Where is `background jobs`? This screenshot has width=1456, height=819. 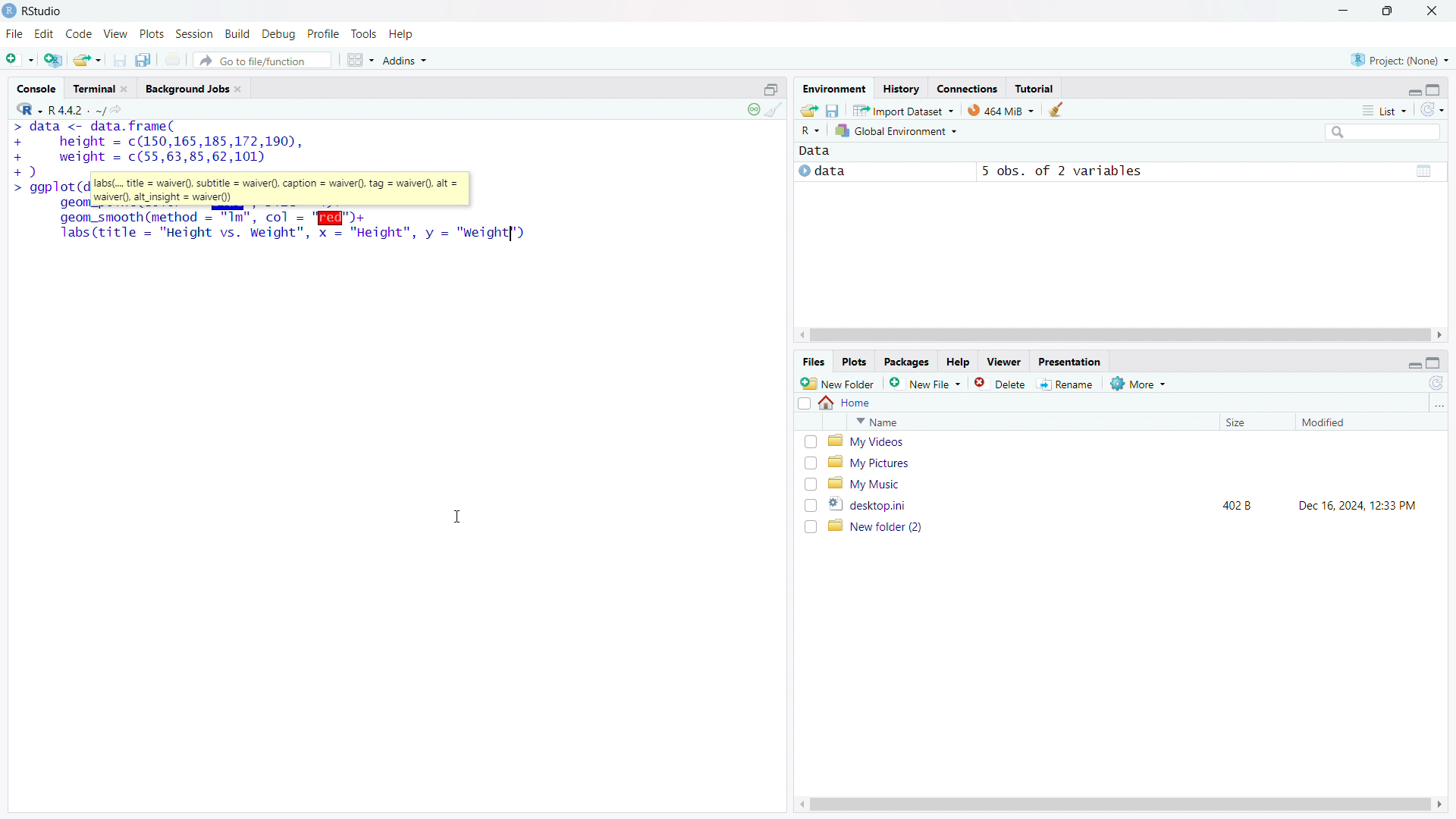
background jobs is located at coordinates (186, 88).